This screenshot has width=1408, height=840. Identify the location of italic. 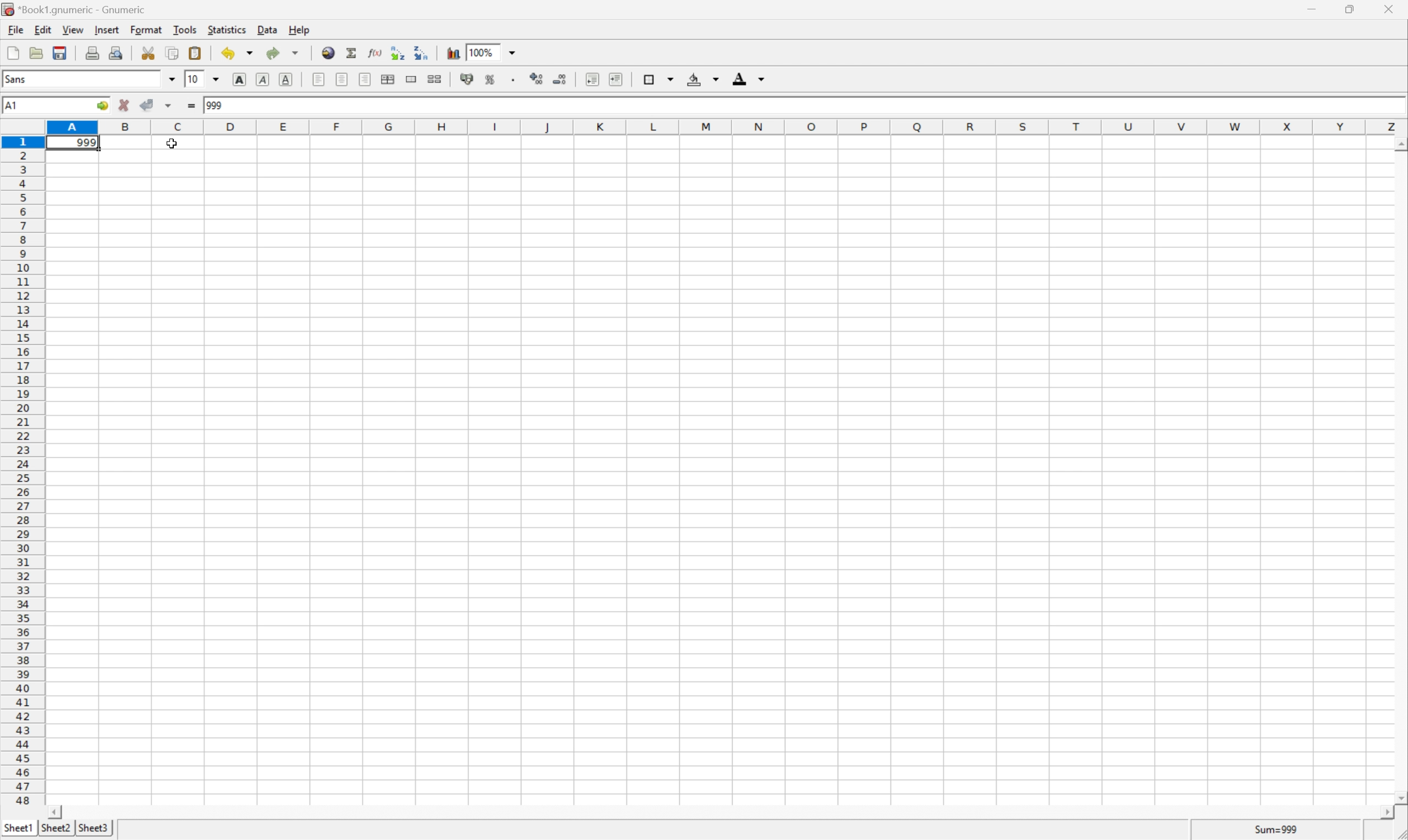
(262, 78).